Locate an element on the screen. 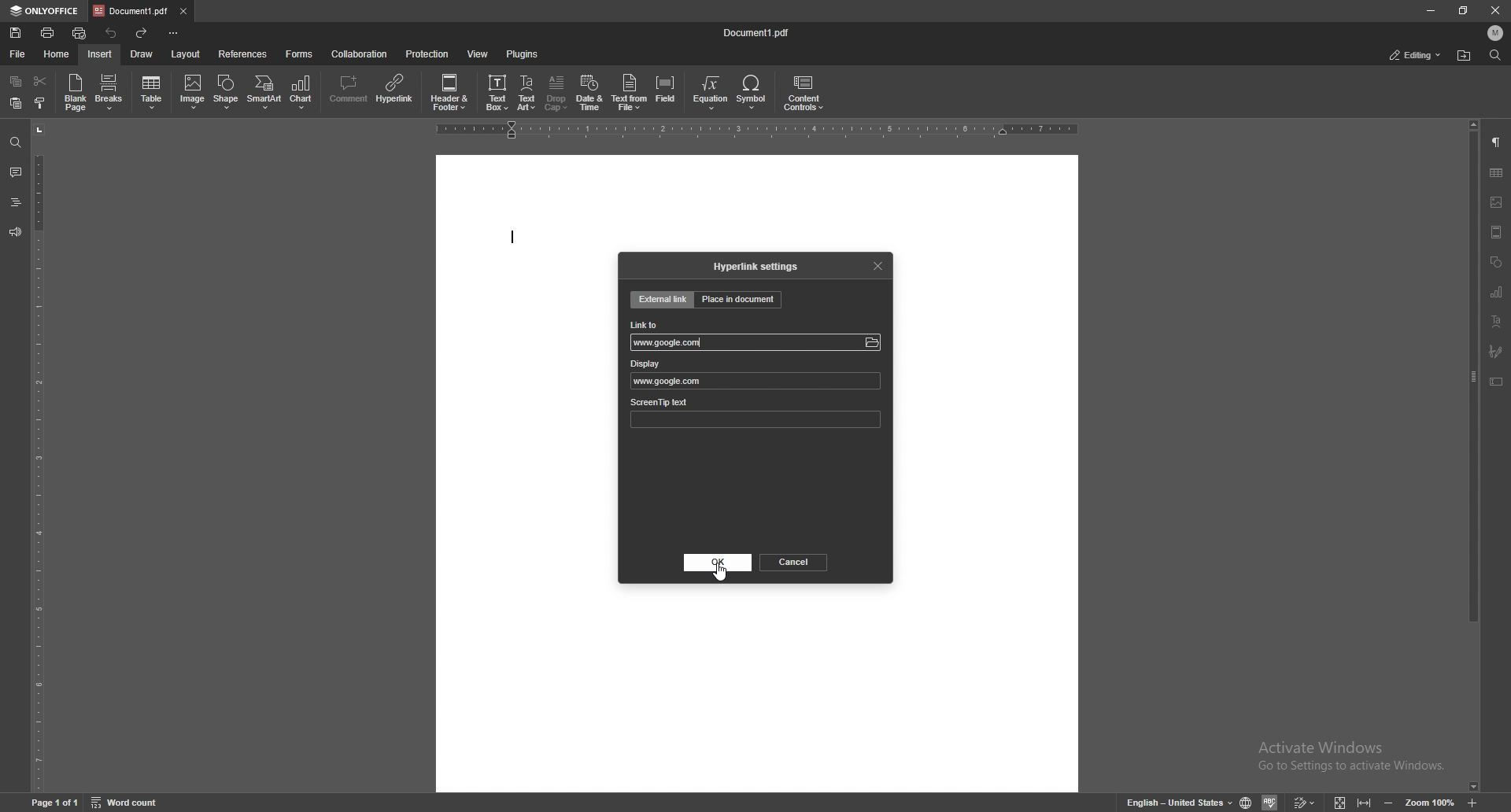  scroll bar is located at coordinates (1473, 456).